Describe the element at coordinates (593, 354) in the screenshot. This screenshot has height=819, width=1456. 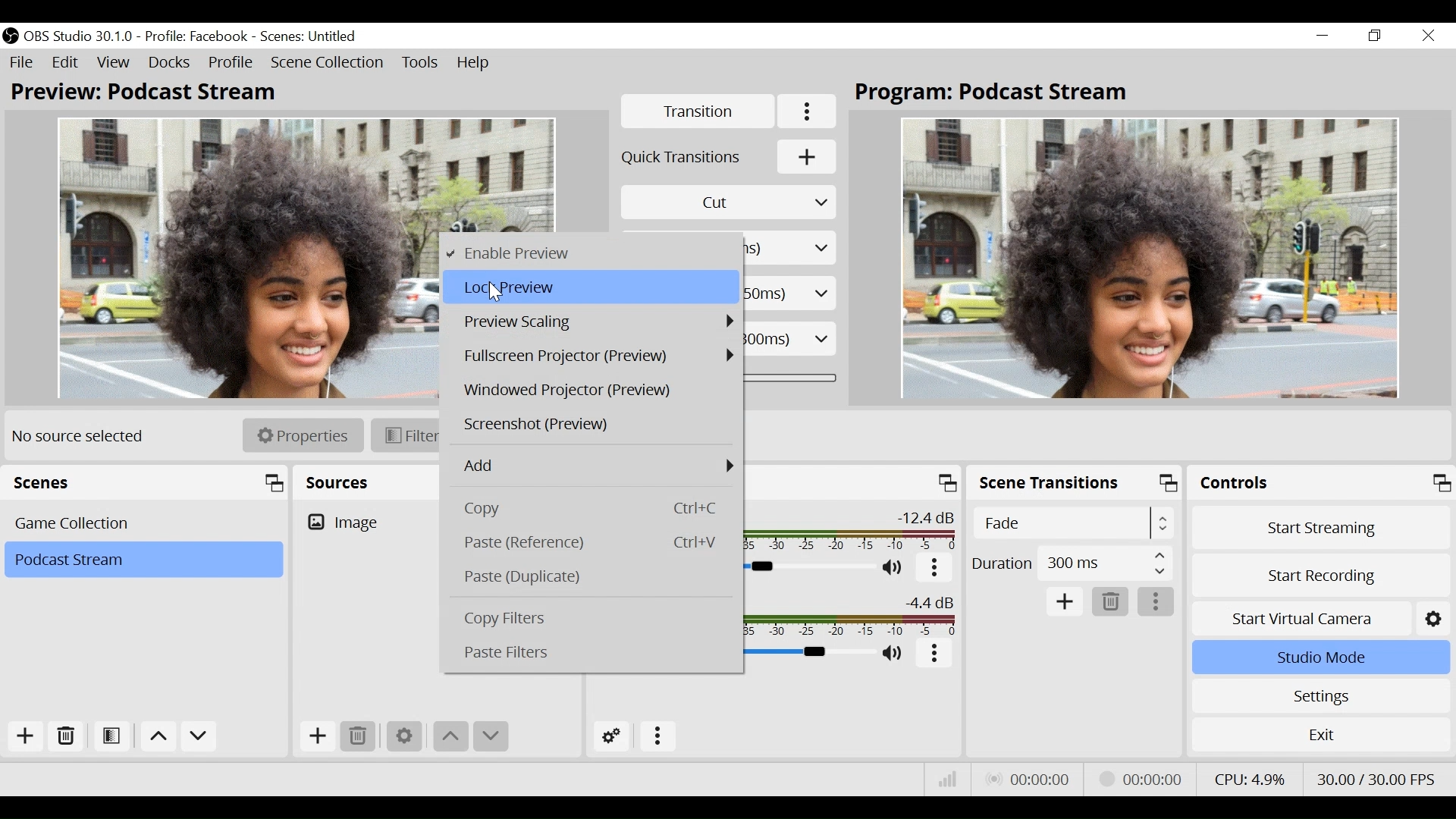
I see `Fullscreen Projector (preview)` at that location.